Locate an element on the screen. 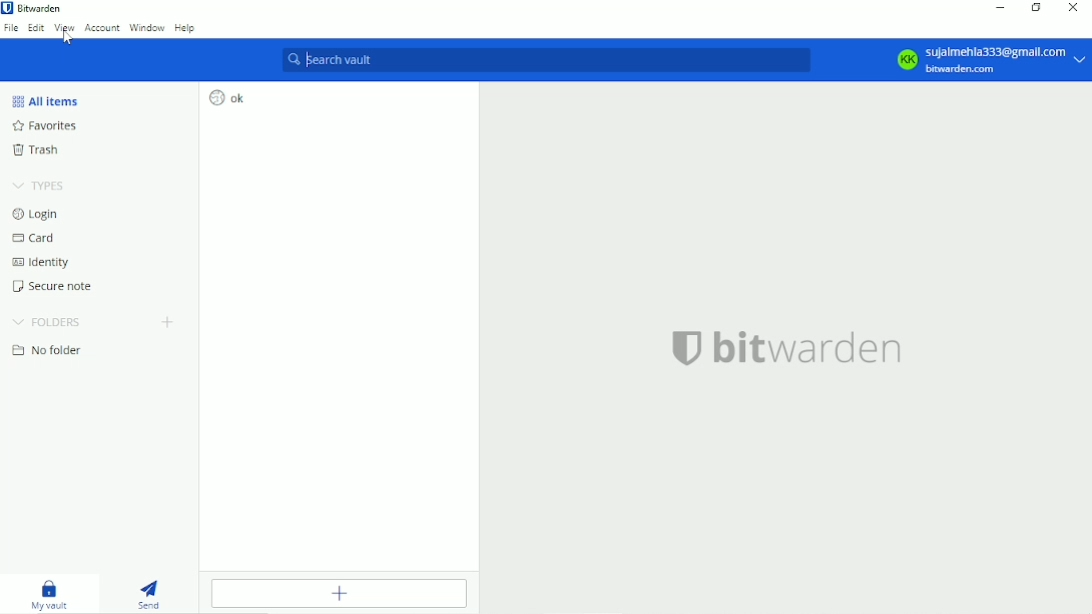 The image size is (1092, 614). ok is located at coordinates (227, 97).